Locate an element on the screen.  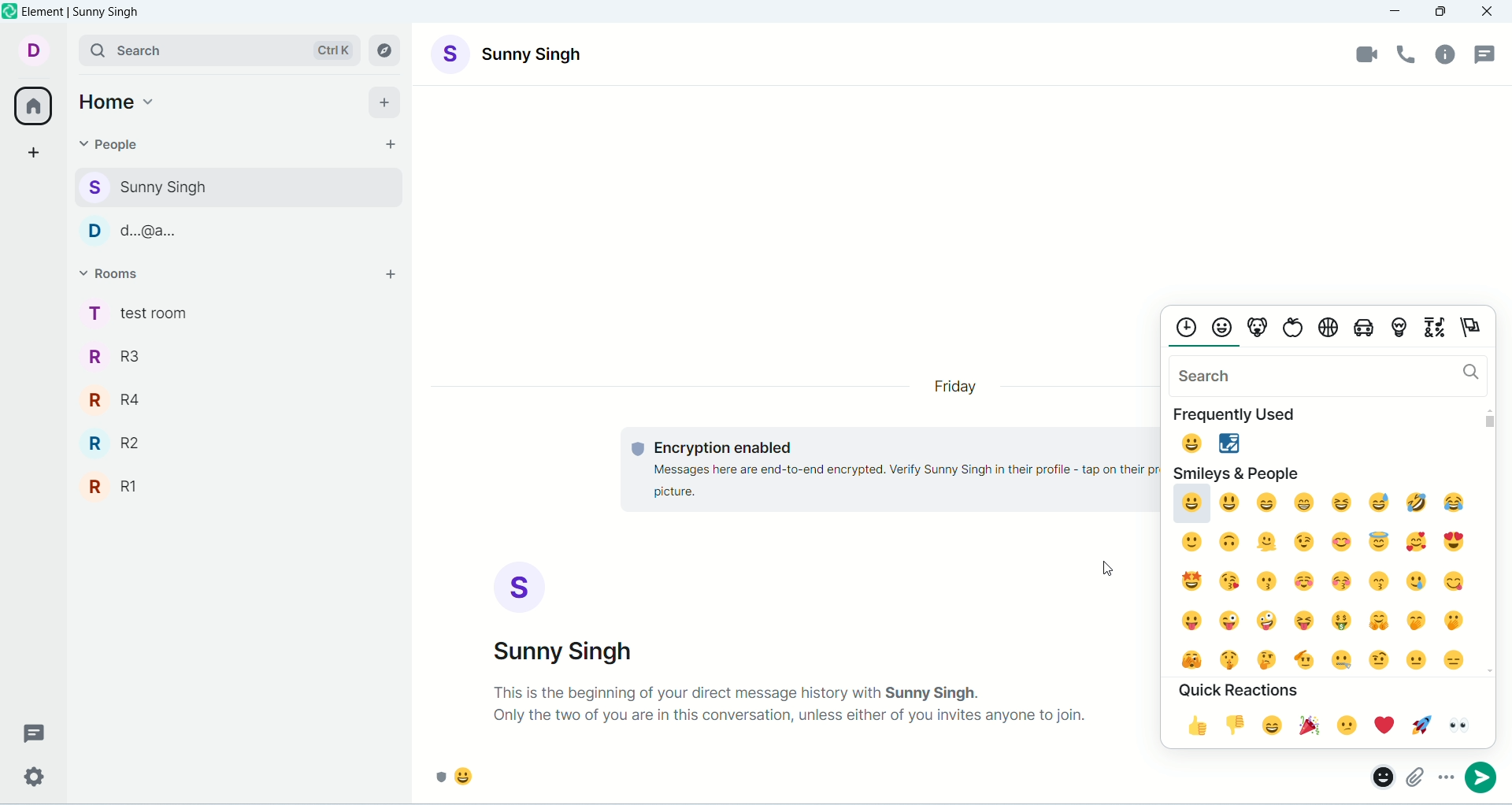
quick reactions is located at coordinates (1317, 725).